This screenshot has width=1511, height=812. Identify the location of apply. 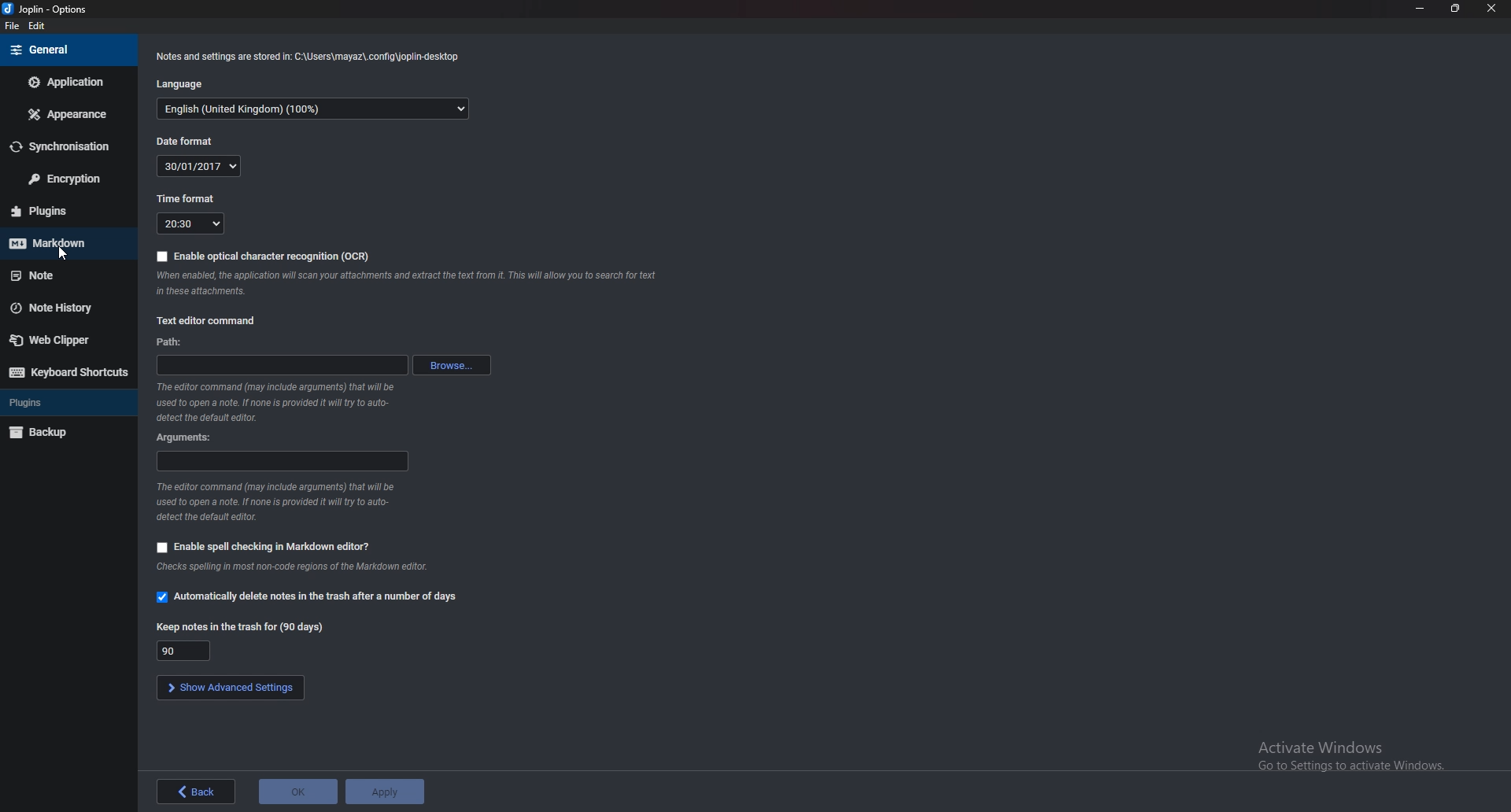
(386, 792).